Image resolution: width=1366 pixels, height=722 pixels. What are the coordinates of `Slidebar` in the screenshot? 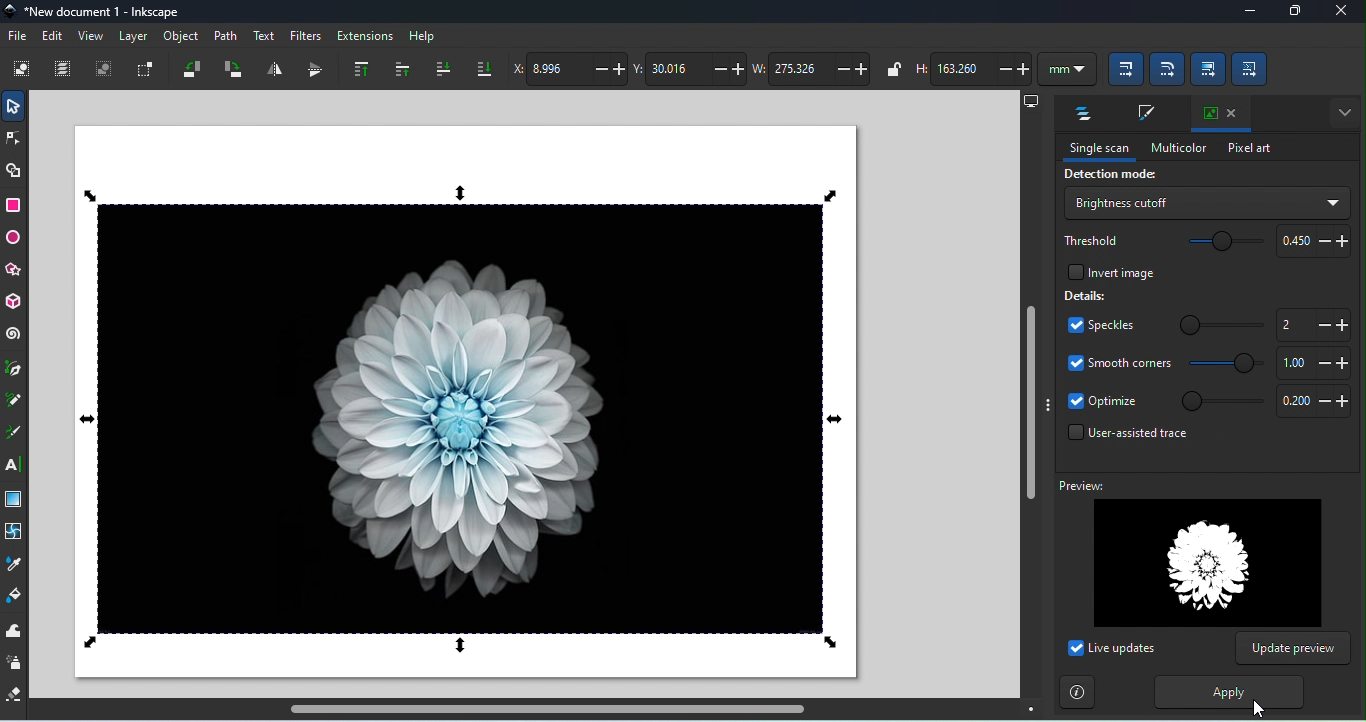 It's located at (1222, 367).